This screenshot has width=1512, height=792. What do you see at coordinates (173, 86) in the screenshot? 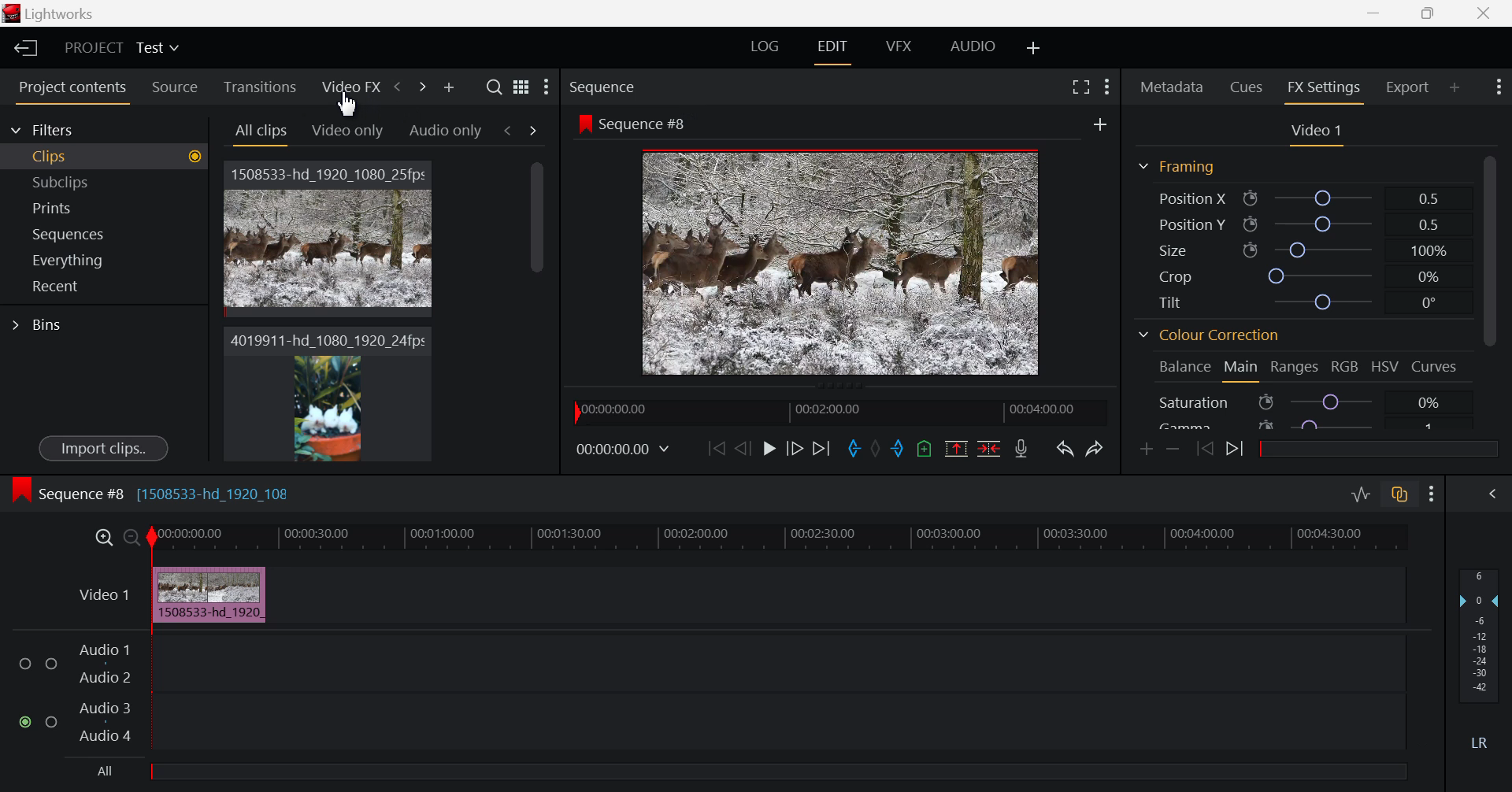
I see `Source` at bounding box center [173, 86].